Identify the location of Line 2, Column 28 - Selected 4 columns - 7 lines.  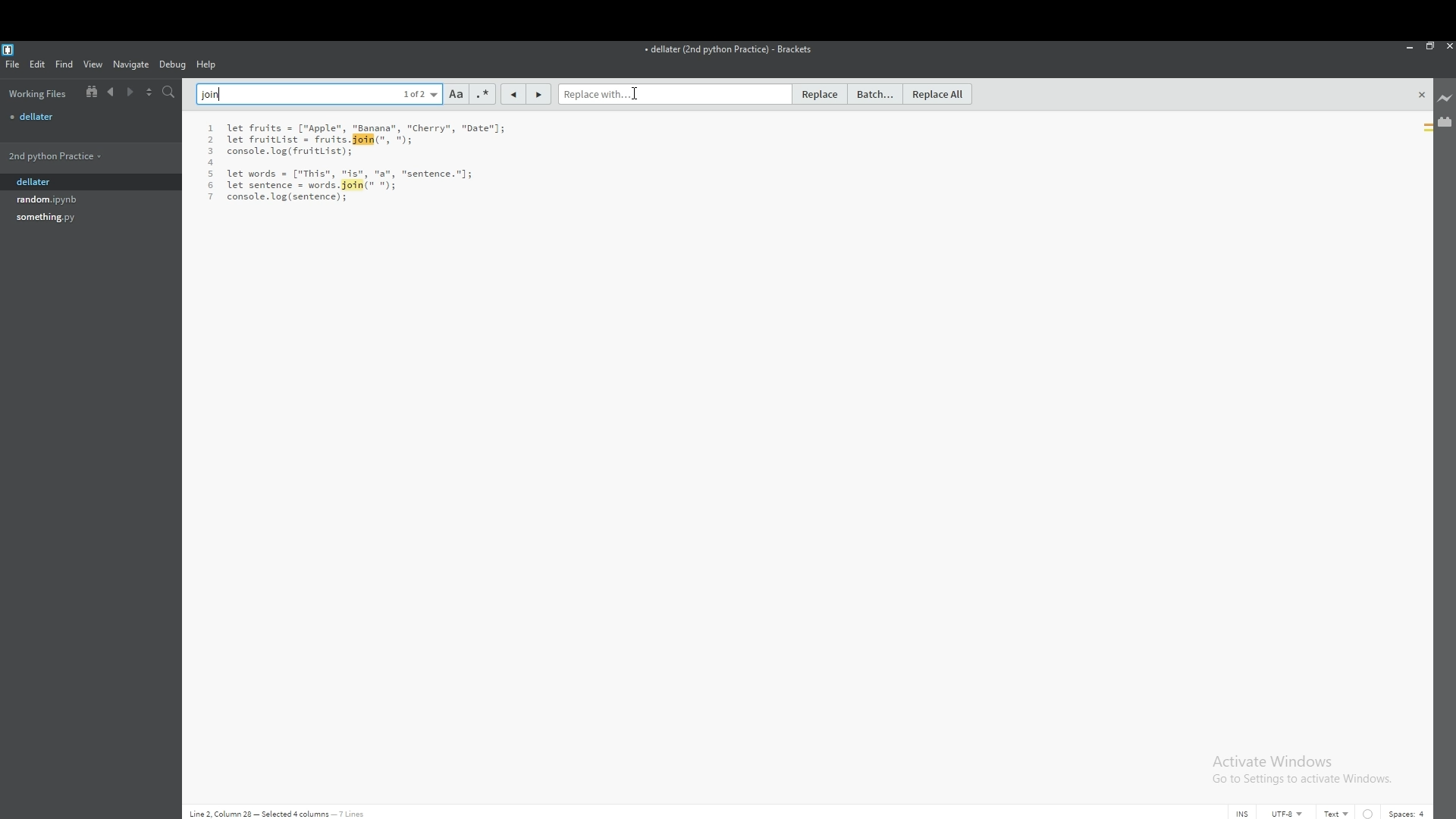
(297, 813).